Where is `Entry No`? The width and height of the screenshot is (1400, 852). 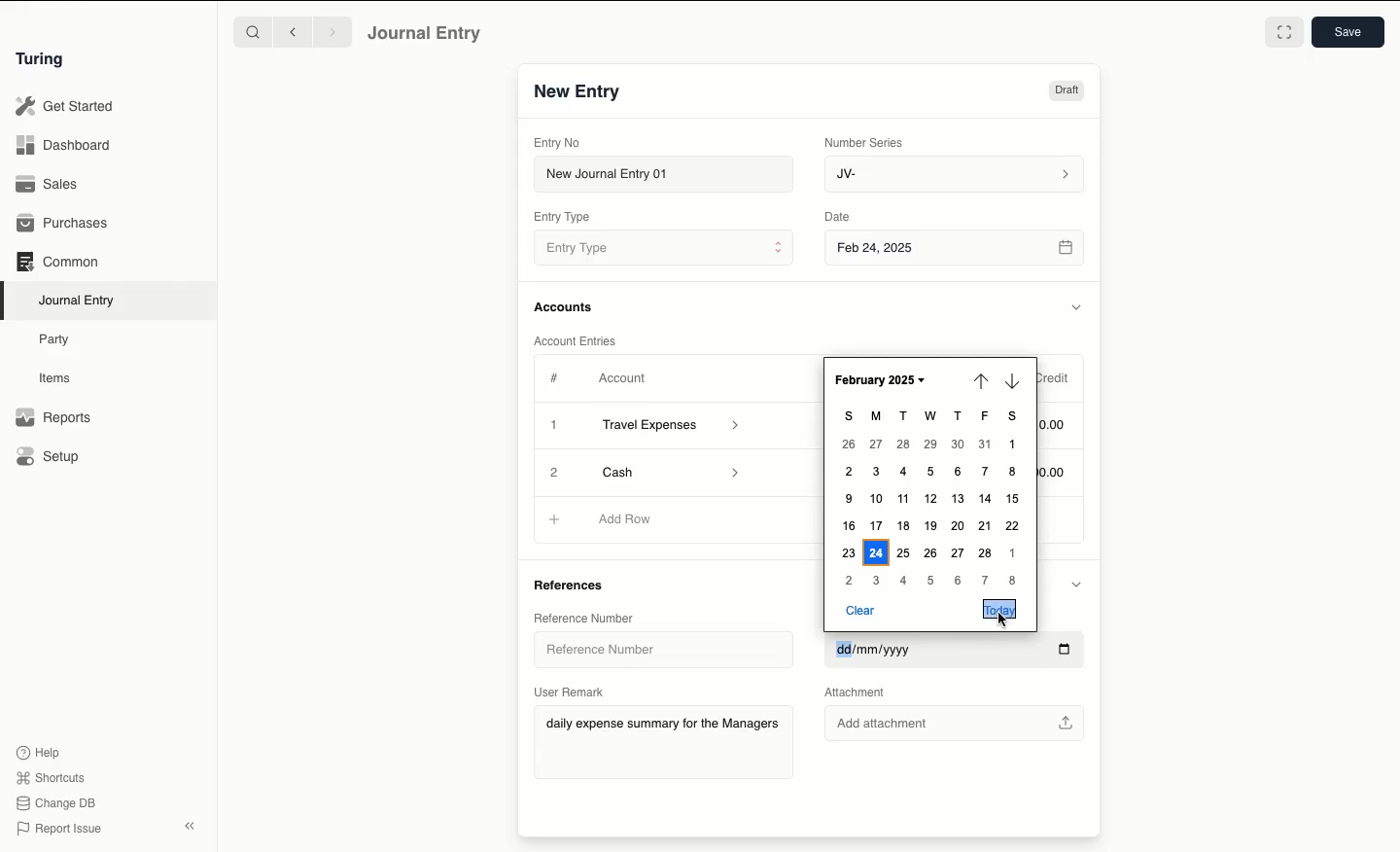
Entry No is located at coordinates (557, 143).